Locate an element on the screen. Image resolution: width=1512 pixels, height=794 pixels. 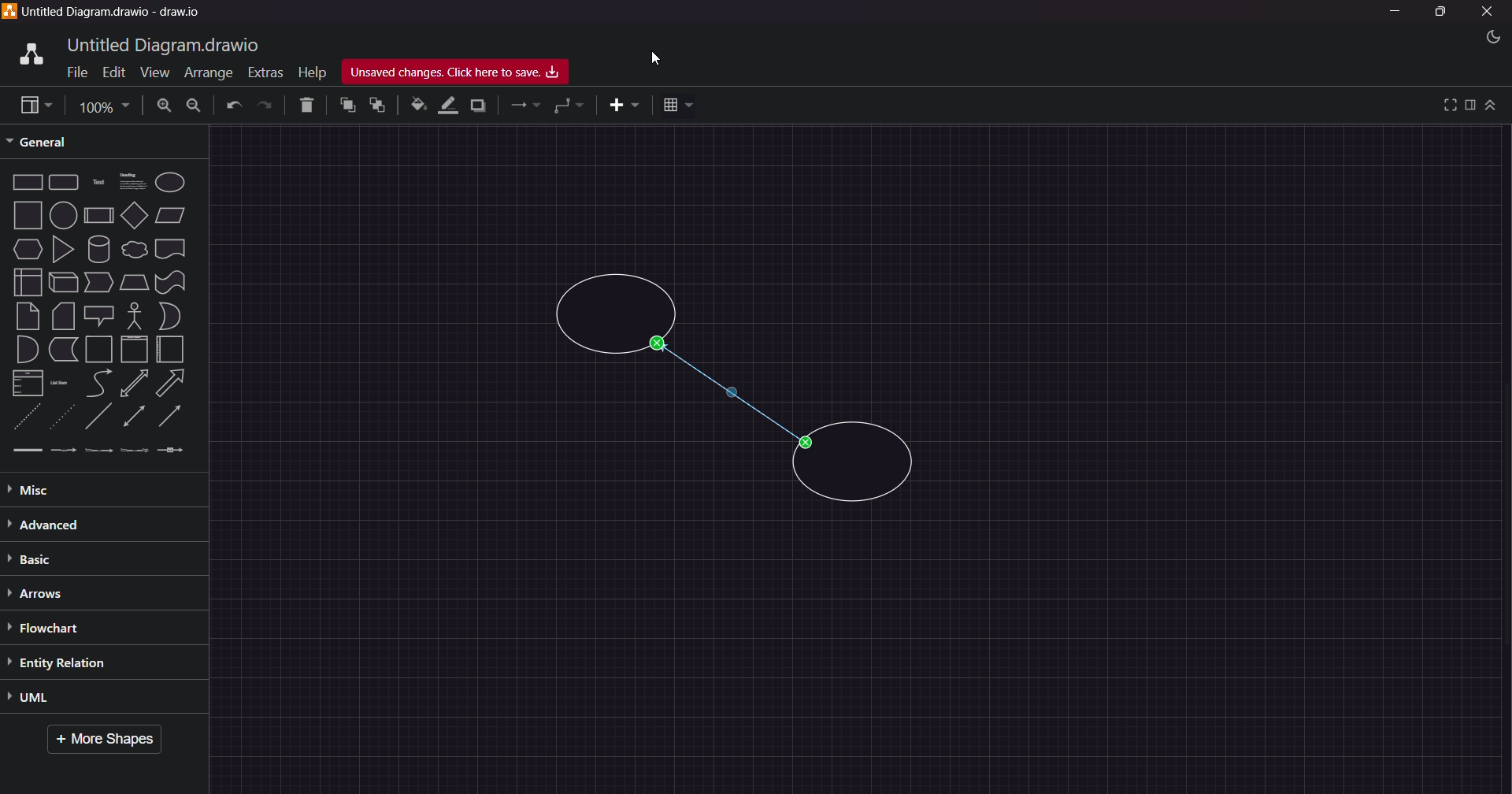
Extras is located at coordinates (265, 70).